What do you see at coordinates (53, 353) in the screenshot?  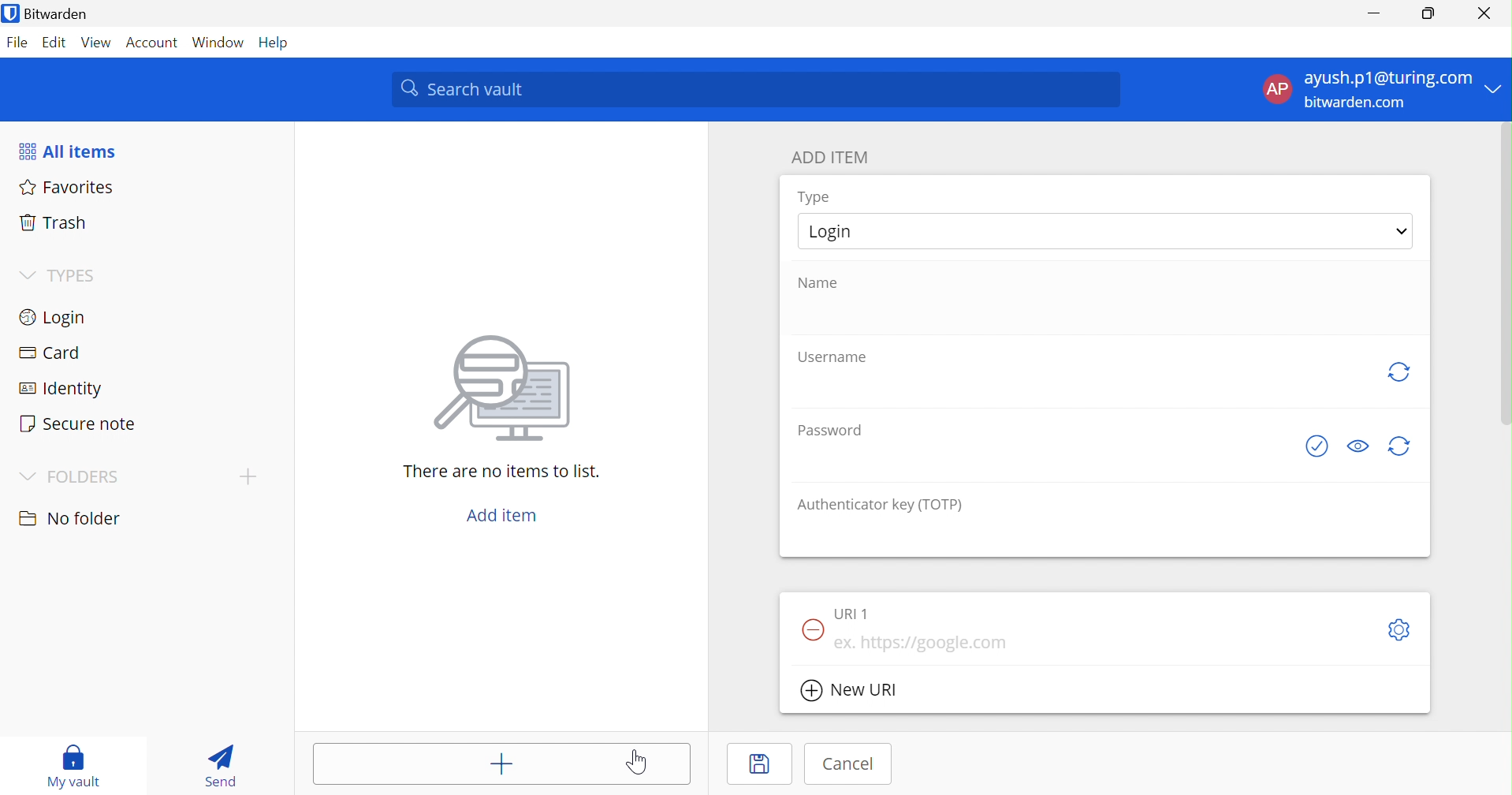 I see `Card` at bounding box center [53, 353].